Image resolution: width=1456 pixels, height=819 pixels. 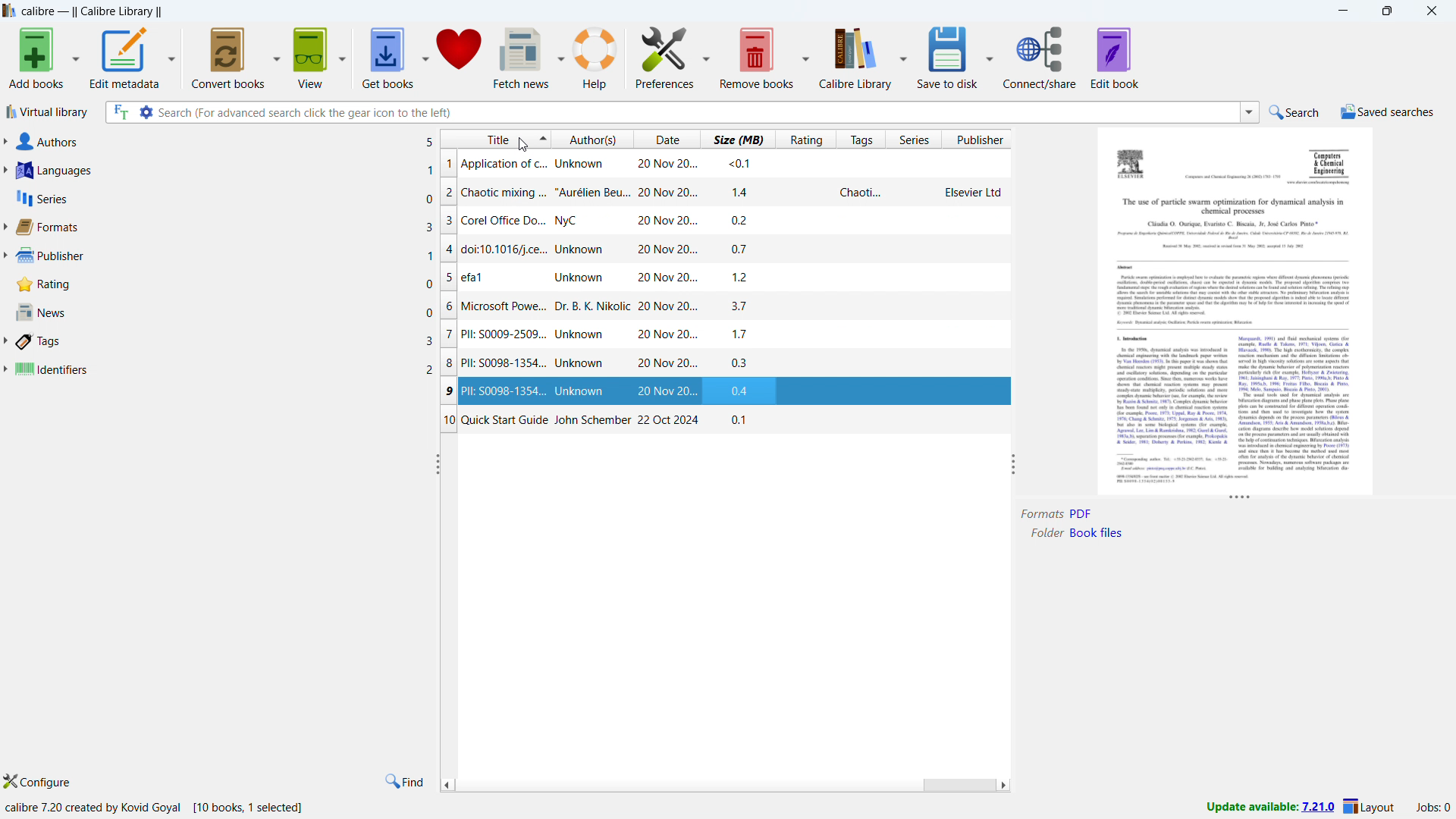 What do you see at coordinates (974, 196) in the screenshot?
I see `Elsevier Ltd` at bounding box center [974, 196].